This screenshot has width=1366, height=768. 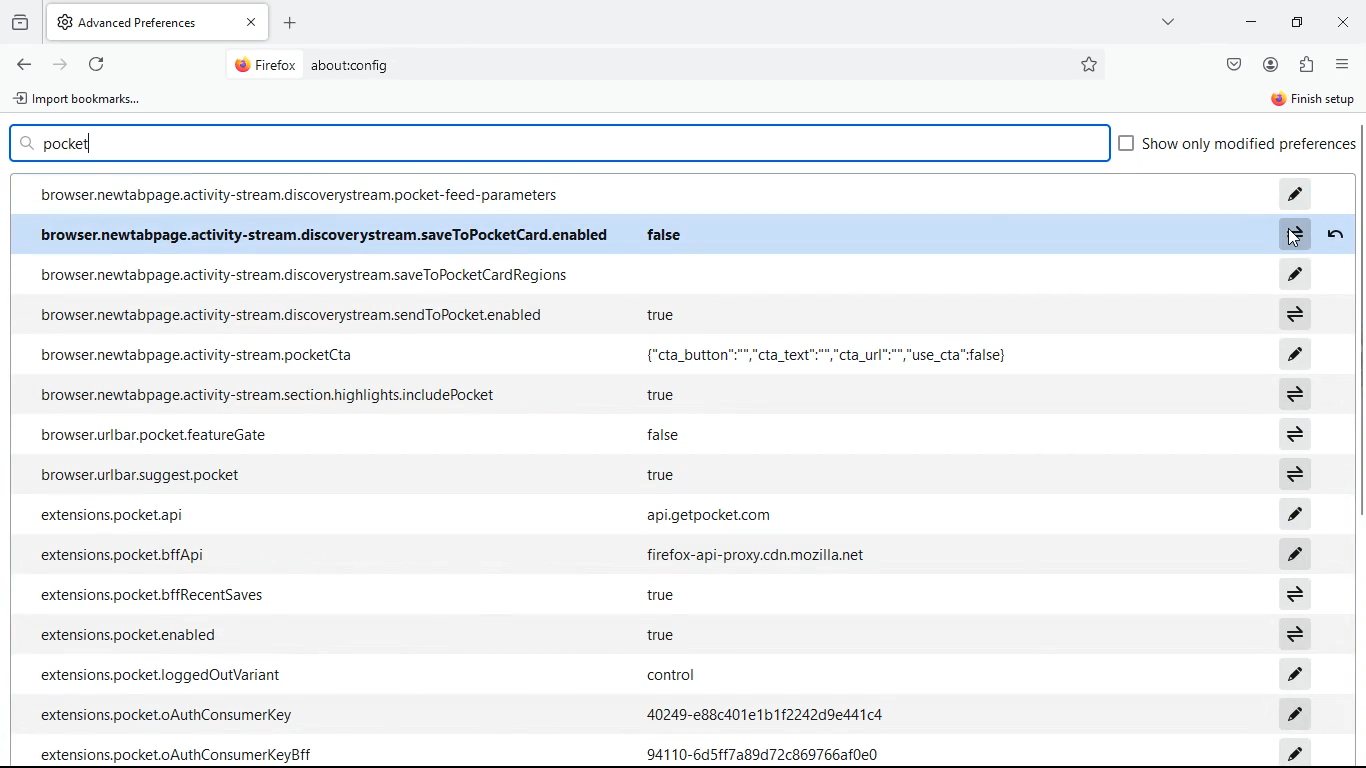 What do you see at coordinates (152, 433) in the screenshot?
I see `browser.urlbar.pocket featureGate` at bounding box center [152, 433].